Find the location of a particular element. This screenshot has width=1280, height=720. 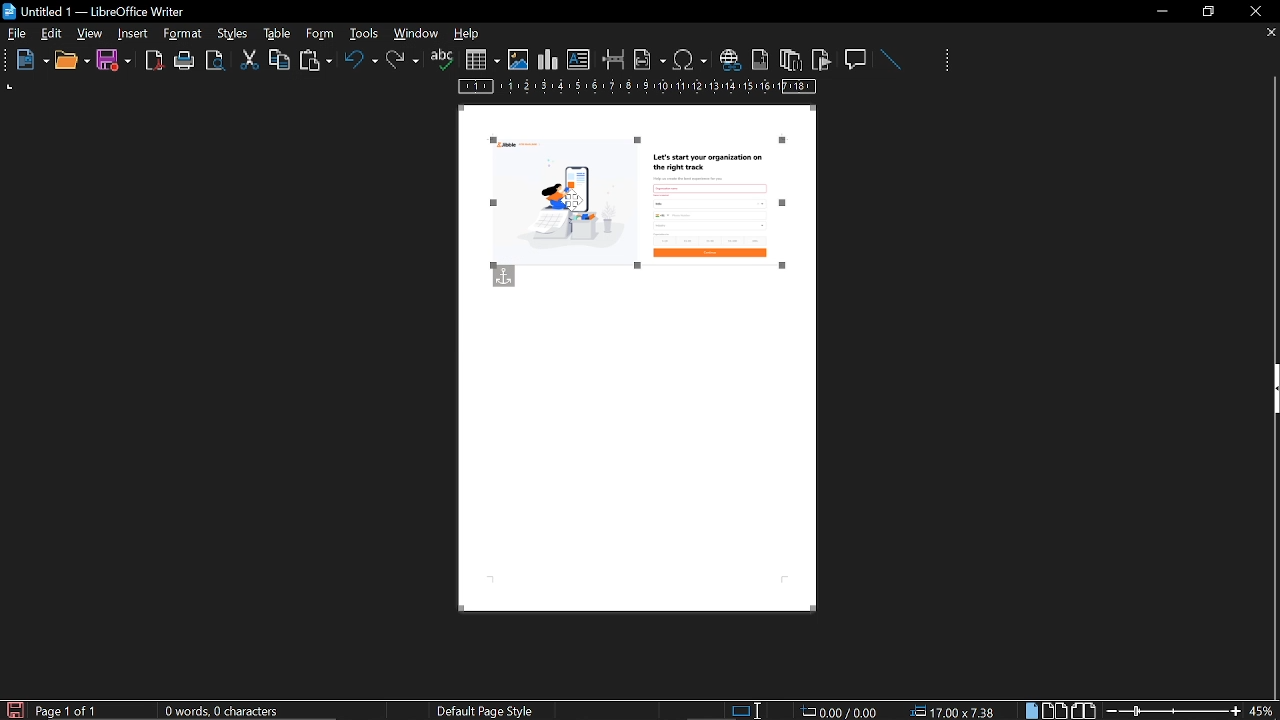

toggle print preview is located at coordinates (218, 61).